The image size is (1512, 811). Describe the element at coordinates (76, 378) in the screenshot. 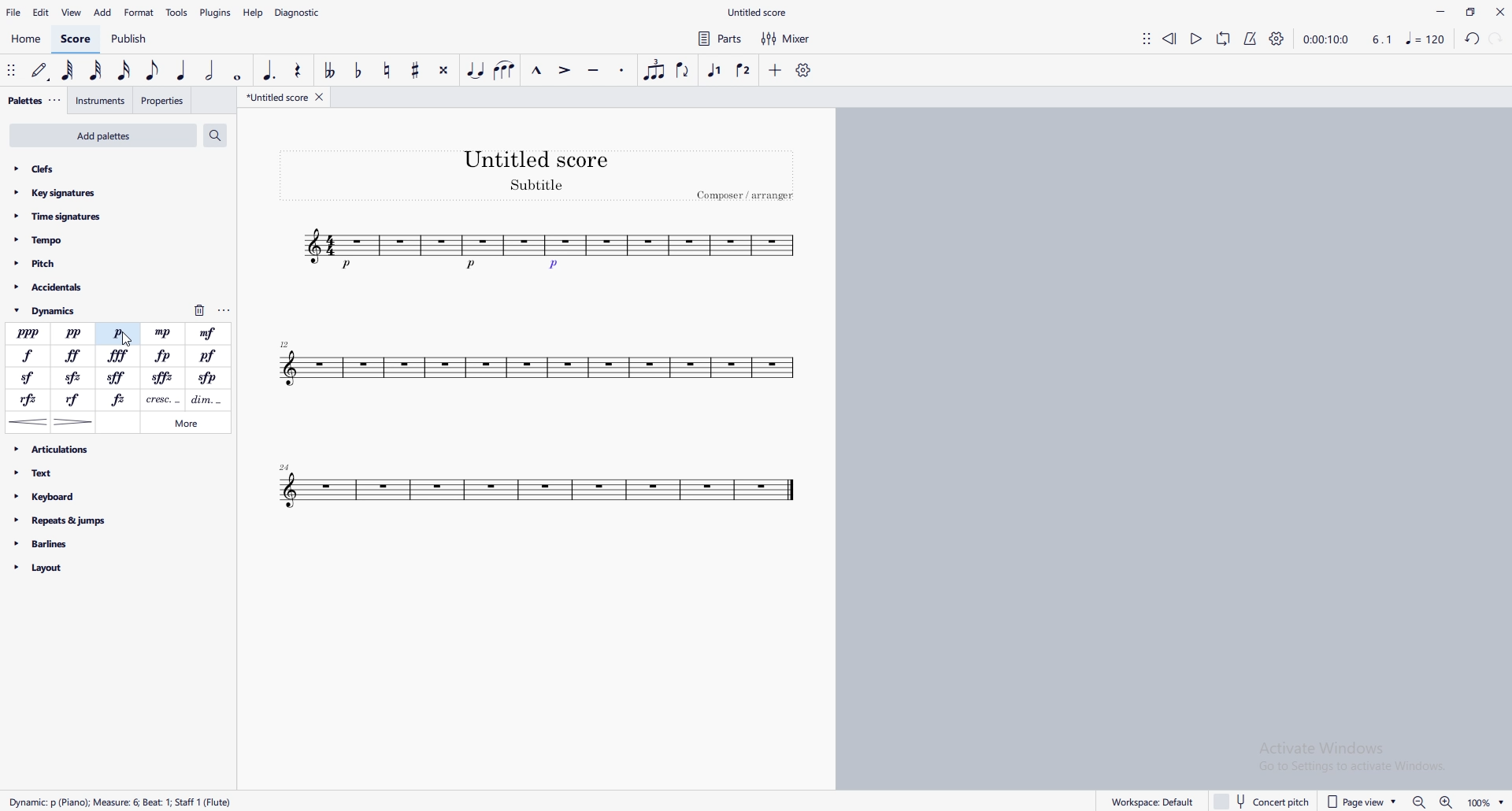

I see `sforzato` at that location.